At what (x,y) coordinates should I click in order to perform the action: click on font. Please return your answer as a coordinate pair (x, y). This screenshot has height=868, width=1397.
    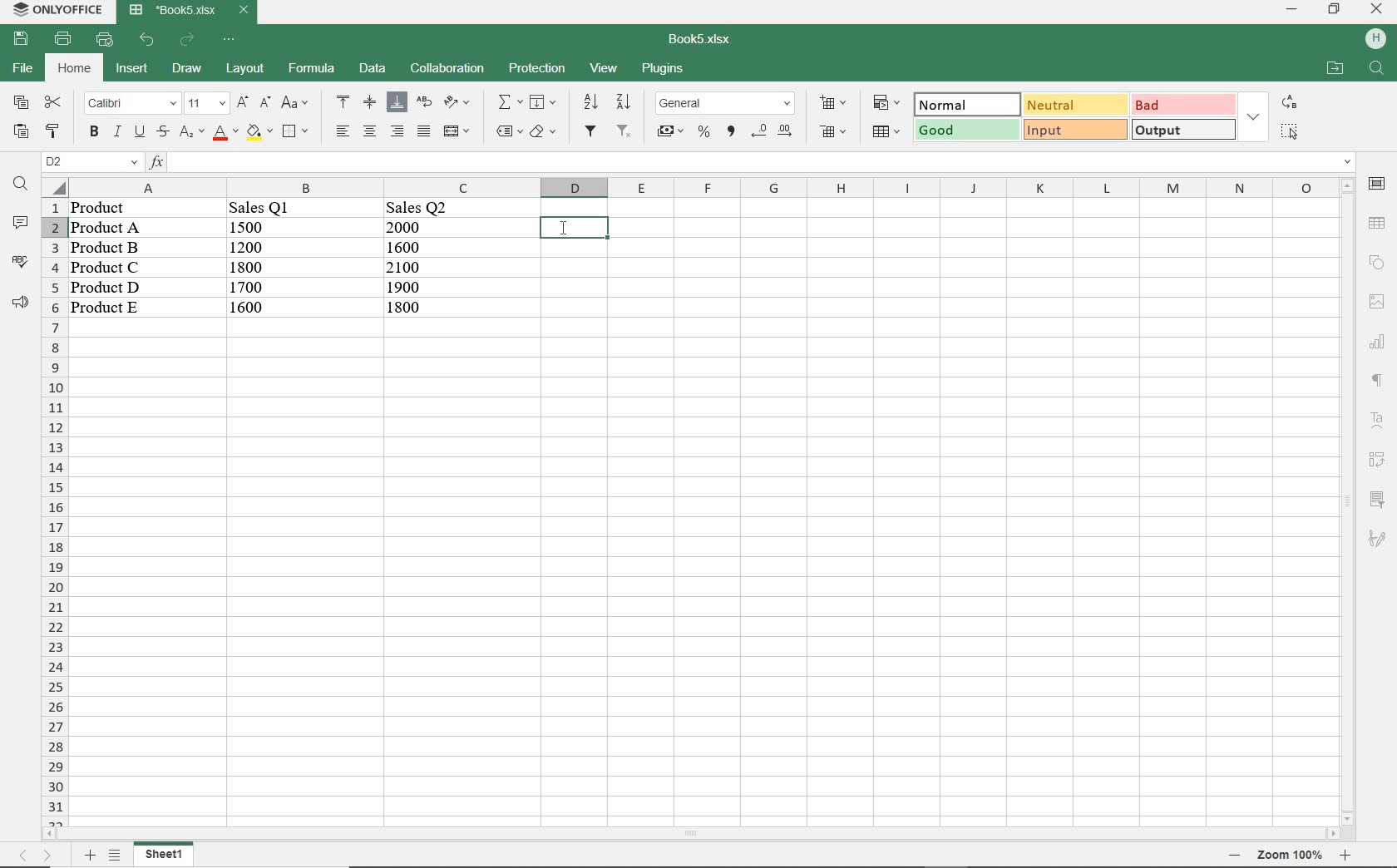
    Looking at the image, I should click on (129, 104).